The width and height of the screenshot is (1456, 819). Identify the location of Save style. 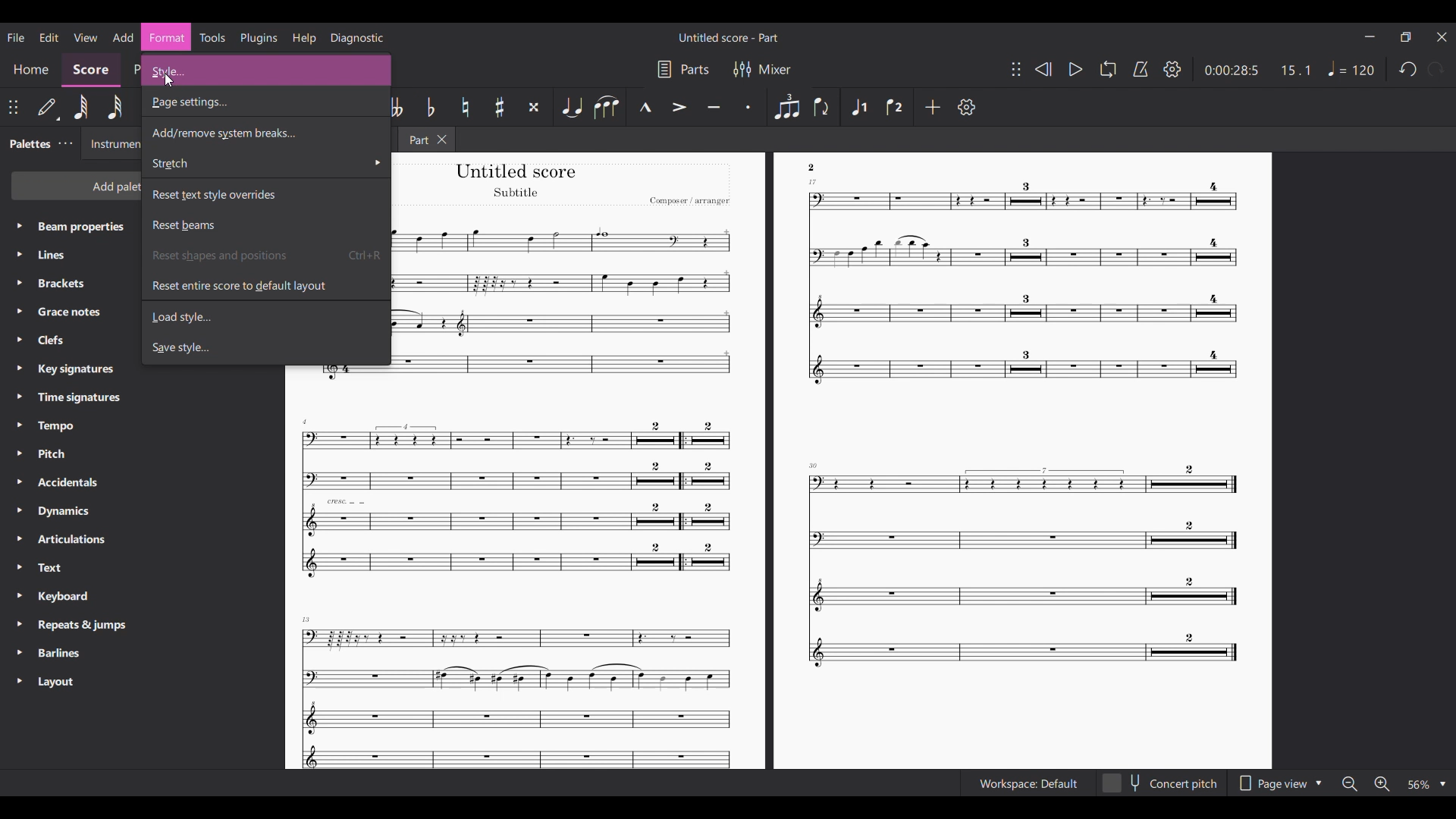
(265, 347).